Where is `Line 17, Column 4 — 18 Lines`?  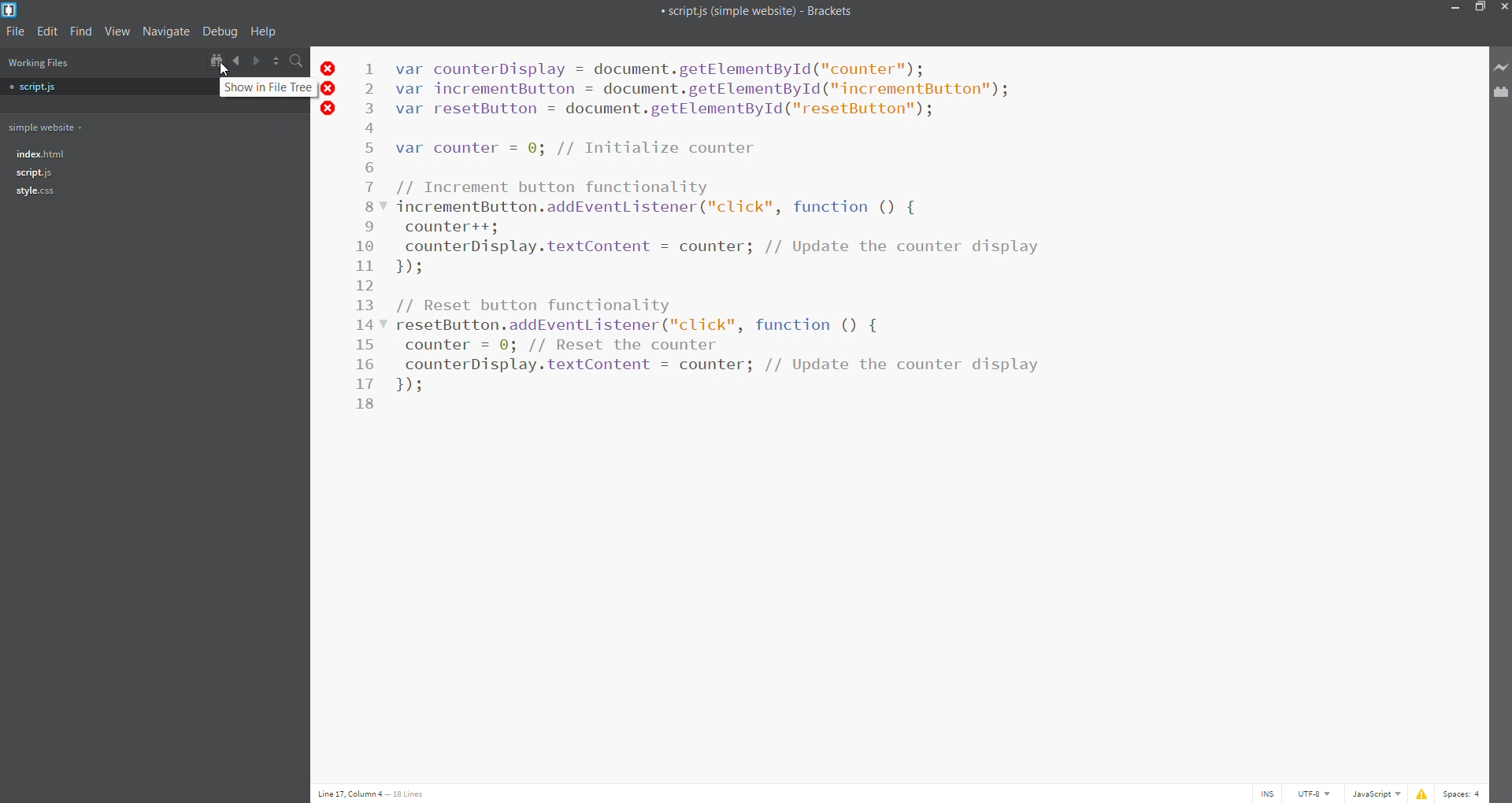 Line 17, Column 4 — 18 Lines is located at coordinates (373, 794).